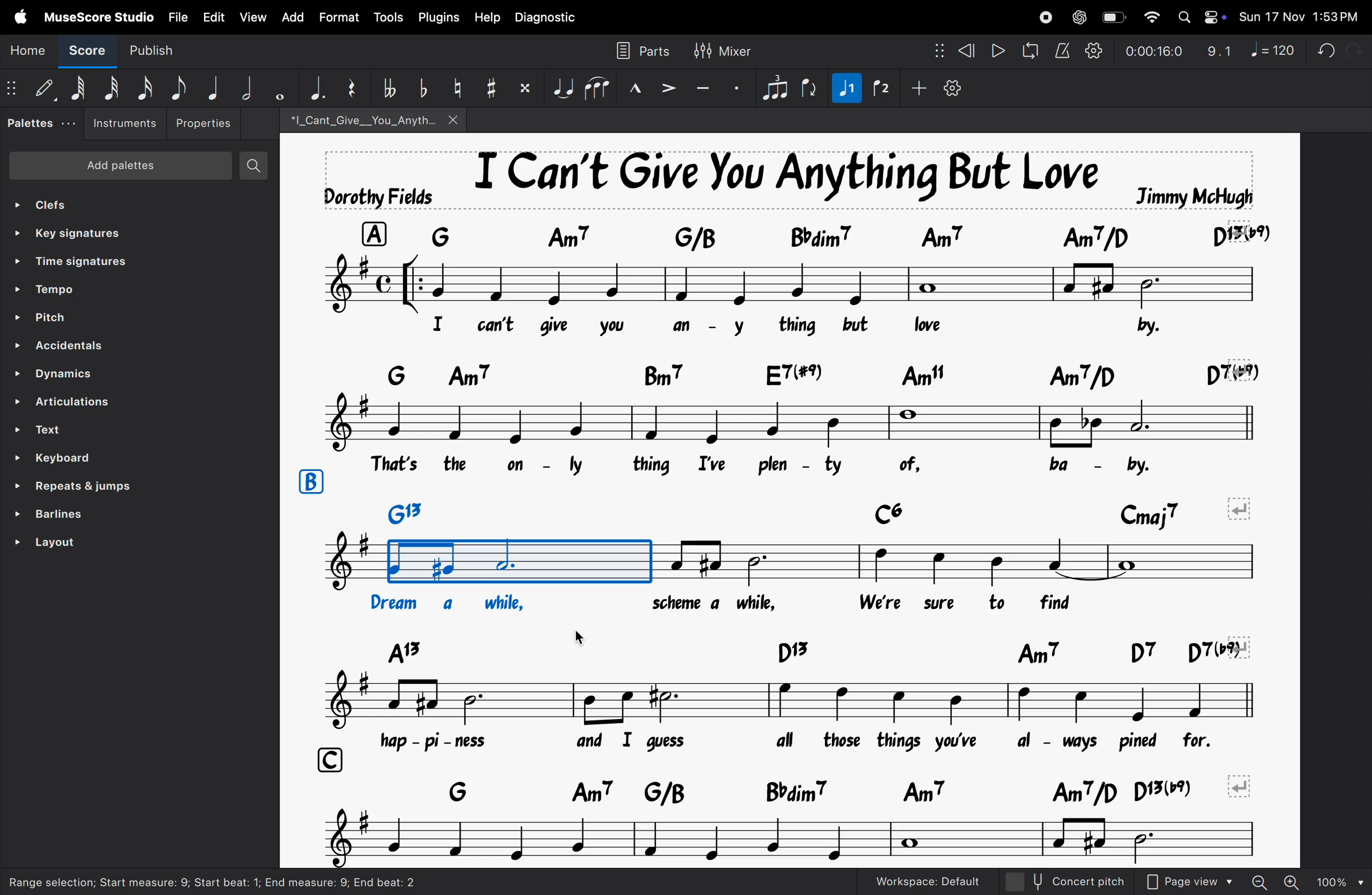 The height and width of the screenshot is (895, 1372). I want to click on metronome, so click(1060, 48).